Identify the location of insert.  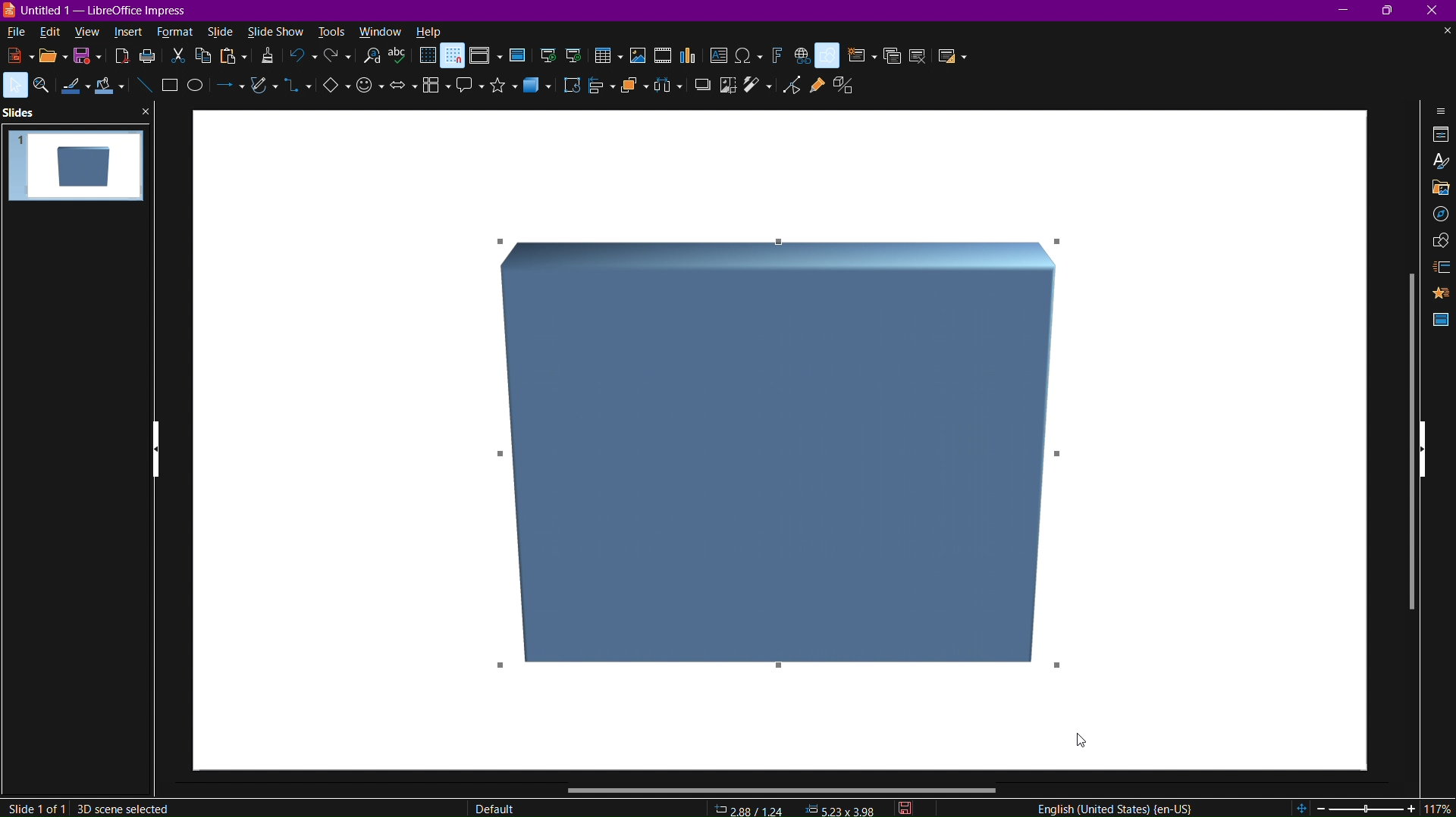
(131, 32).